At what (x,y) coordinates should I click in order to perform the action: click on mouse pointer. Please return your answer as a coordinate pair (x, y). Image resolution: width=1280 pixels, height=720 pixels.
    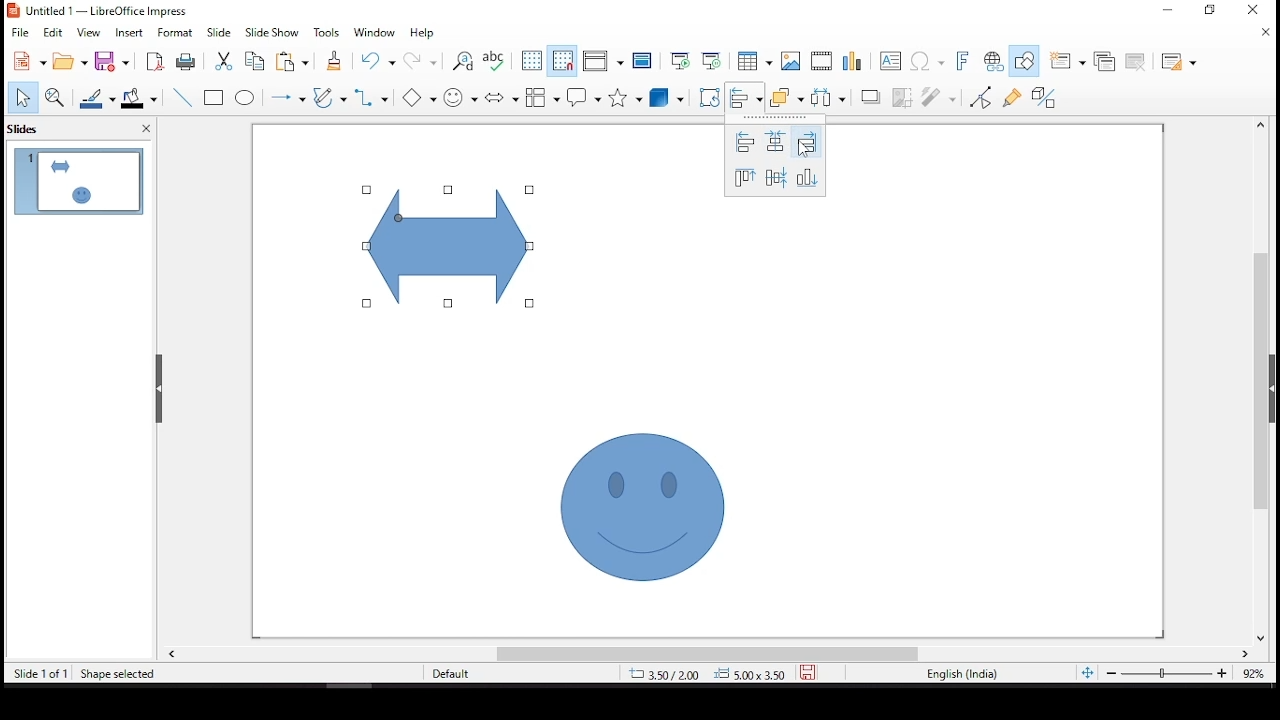
    Looking at the image, I should click on (806, 148).